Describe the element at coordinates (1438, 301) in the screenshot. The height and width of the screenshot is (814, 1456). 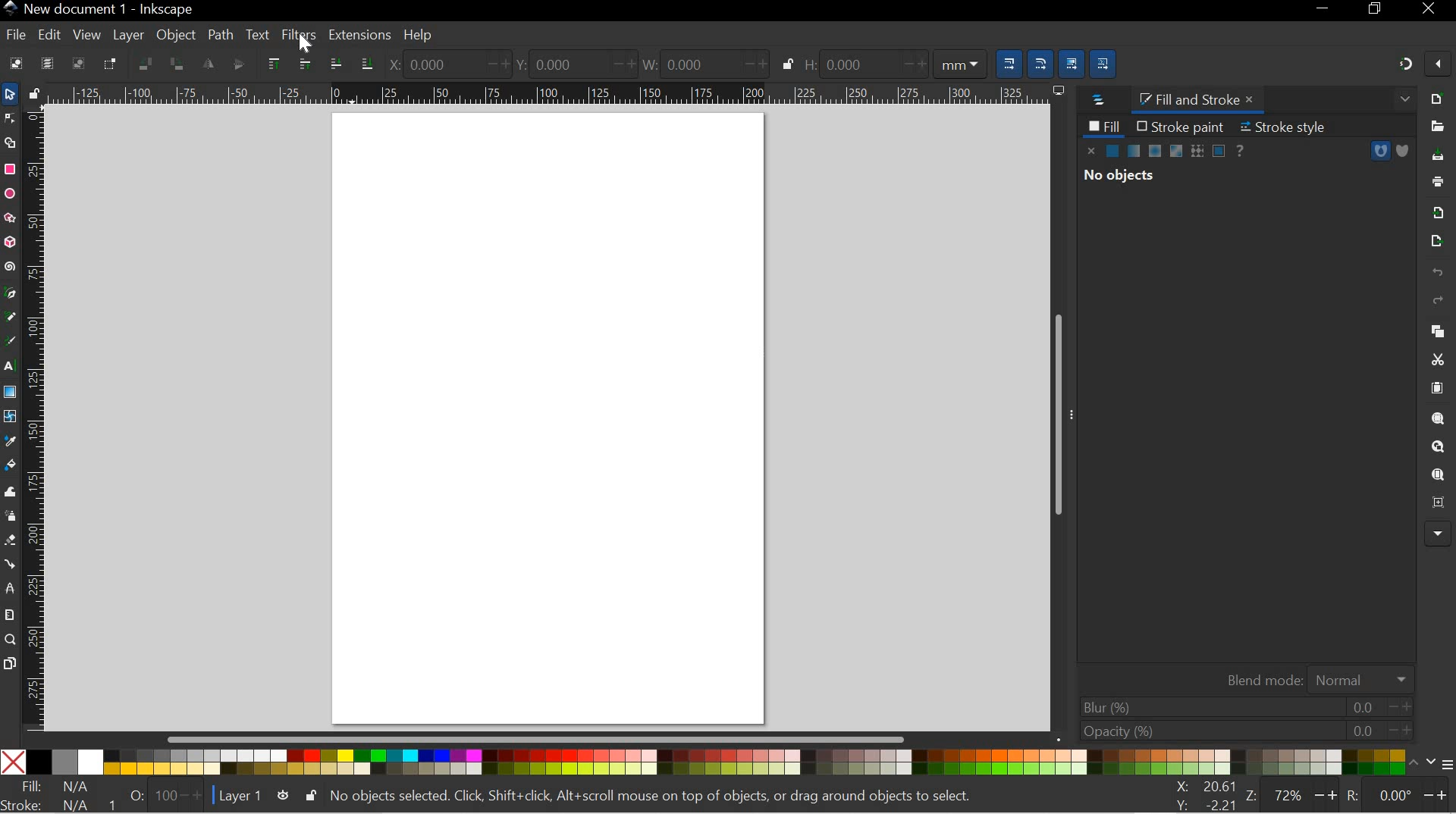
I see `REDO` at that location.